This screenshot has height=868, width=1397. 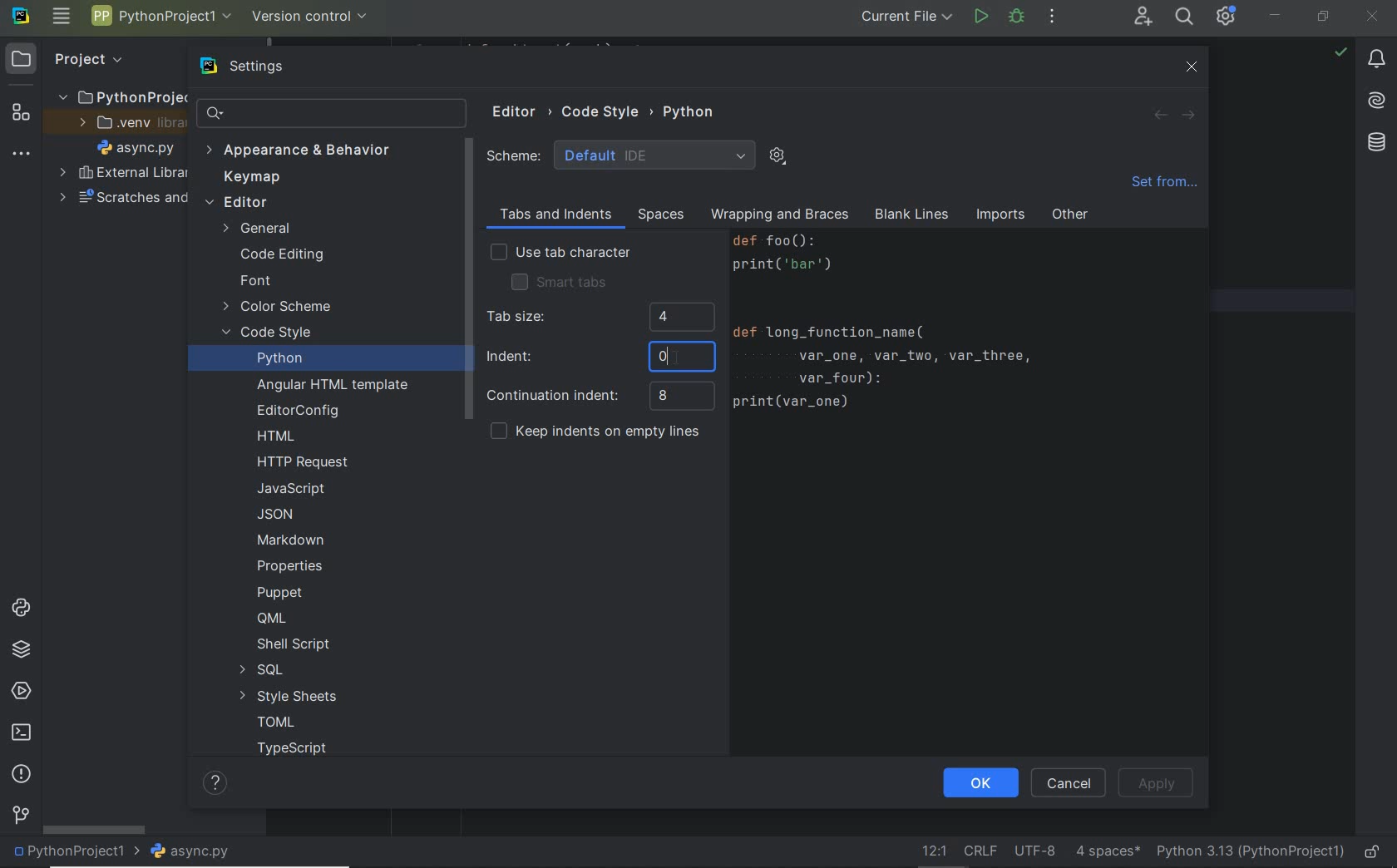 I want to click on STYLE SHEETS, so click(x=289, y=696).